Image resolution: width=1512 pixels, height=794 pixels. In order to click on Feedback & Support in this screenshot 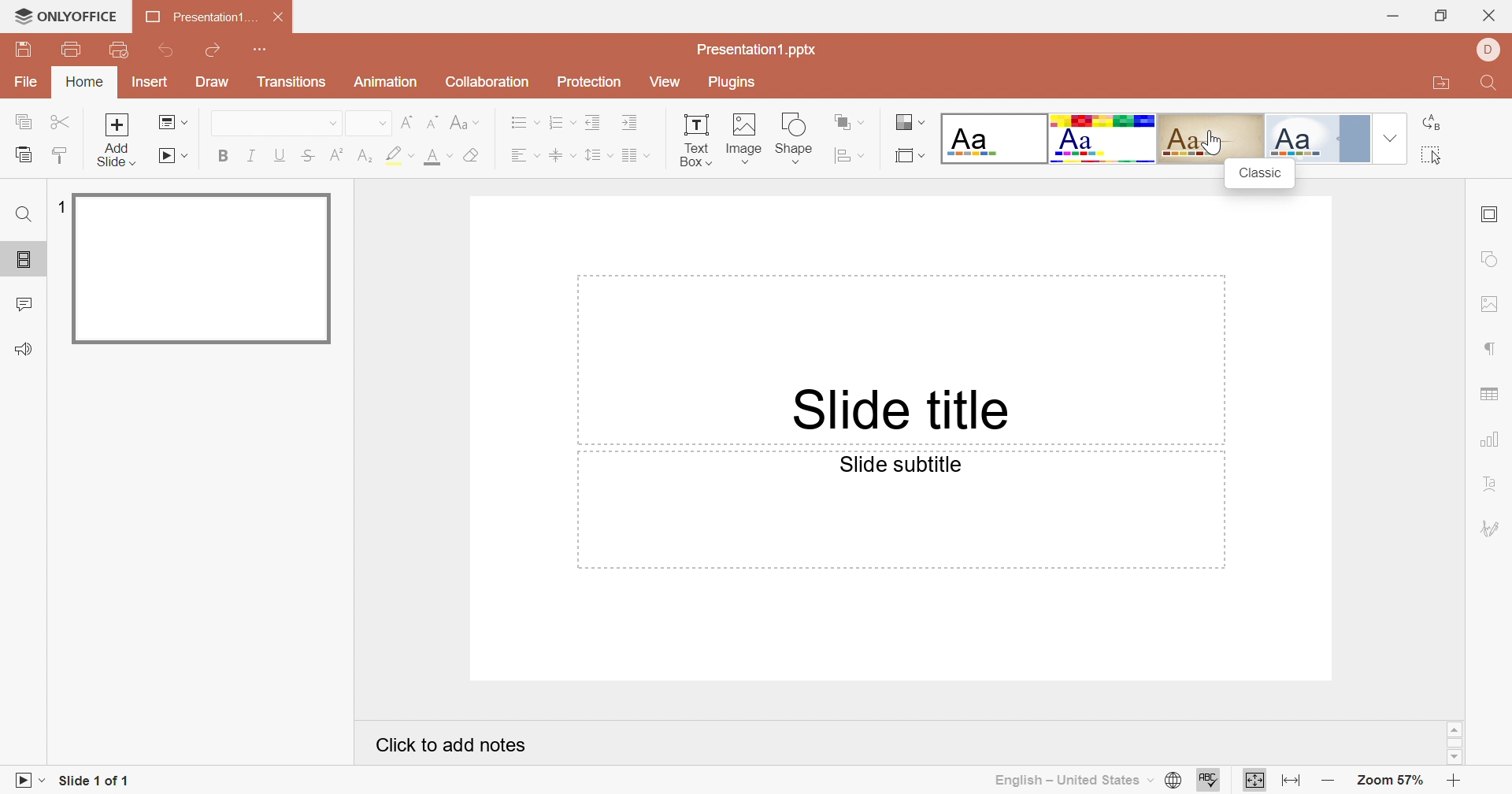, I will do `click(24, 349)`.